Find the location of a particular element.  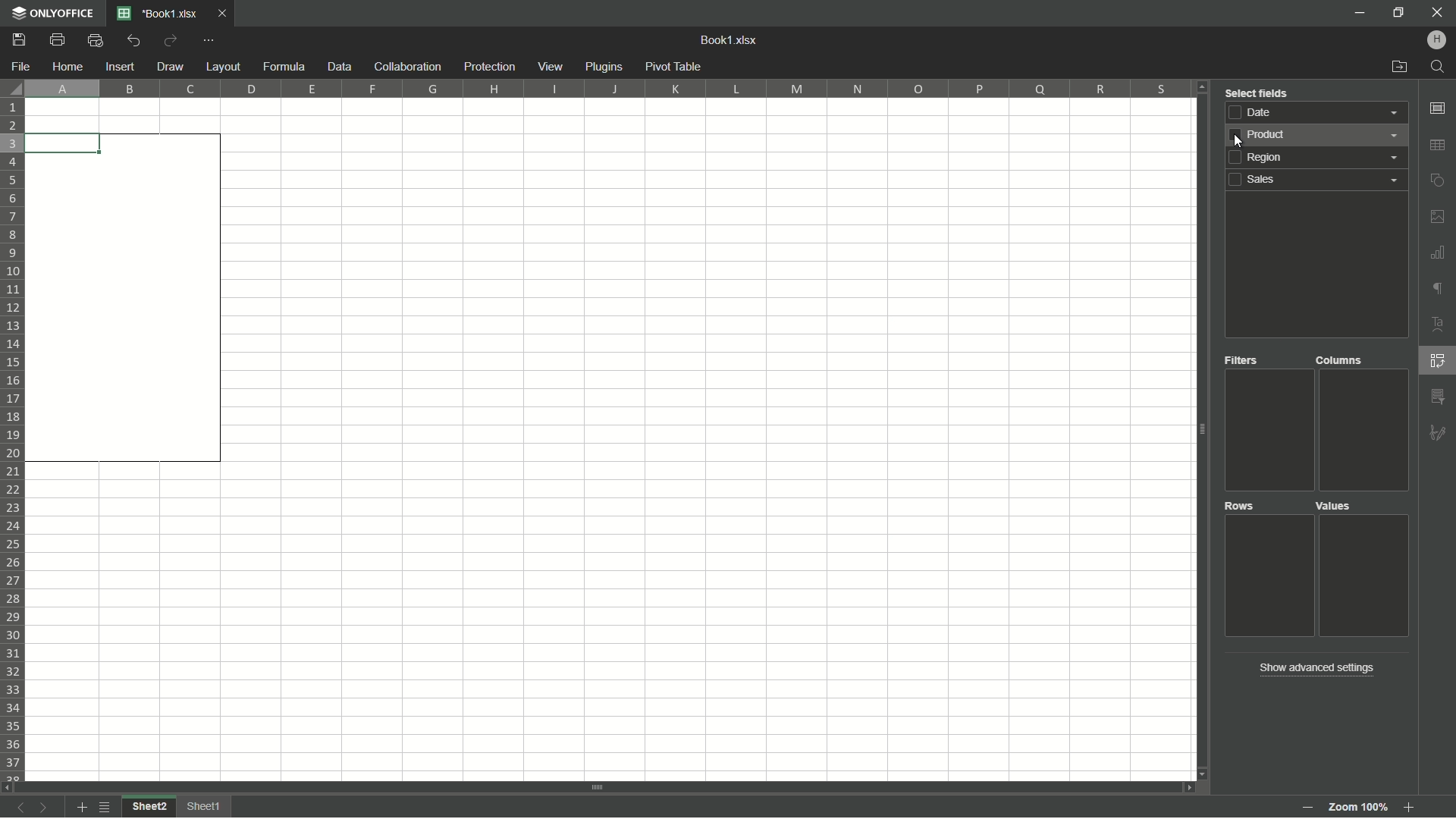

Home is located at coordinates (69, 65).